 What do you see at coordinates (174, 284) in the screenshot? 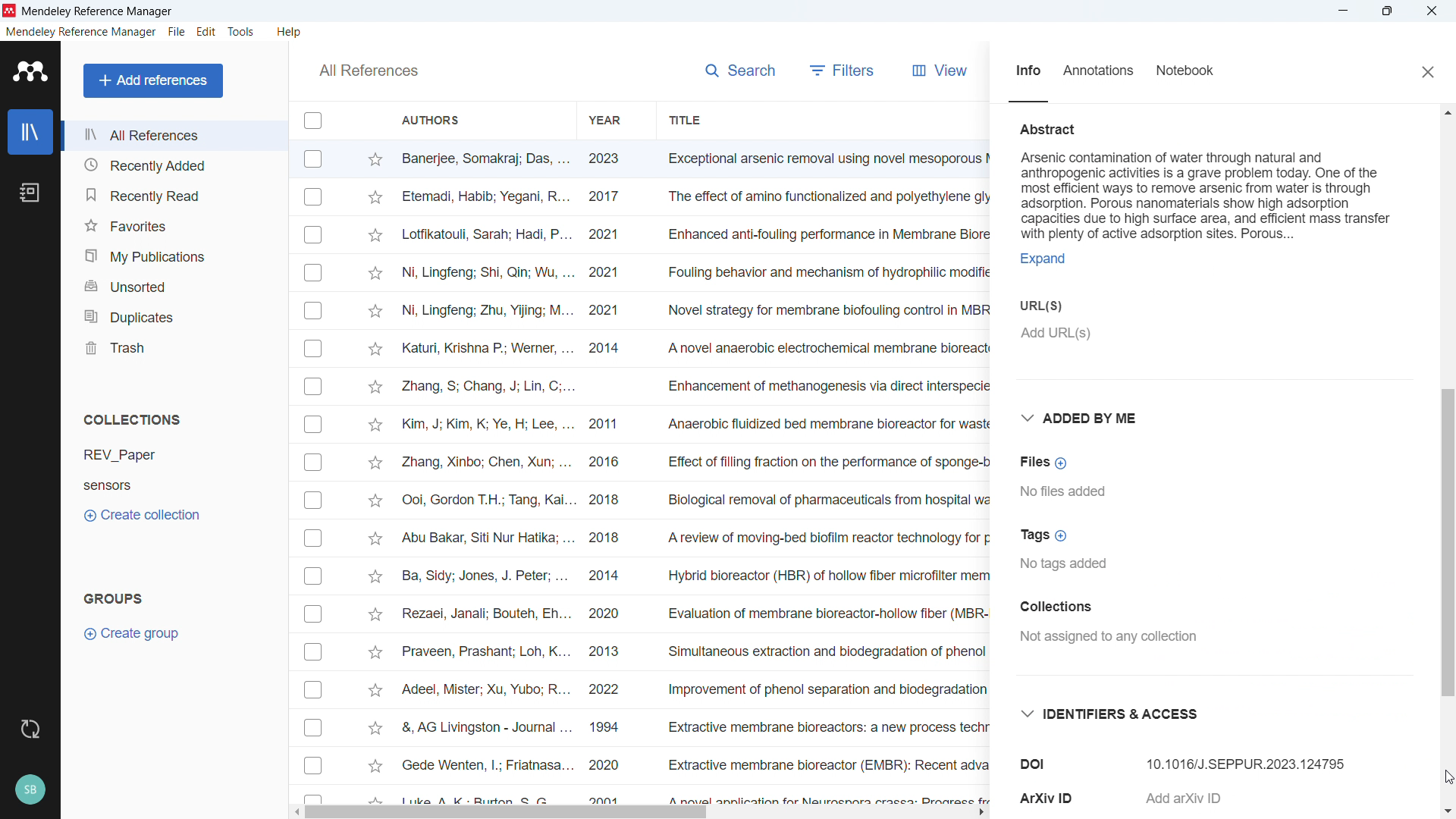
I see `unsorted` at bounding box center [174, 284].